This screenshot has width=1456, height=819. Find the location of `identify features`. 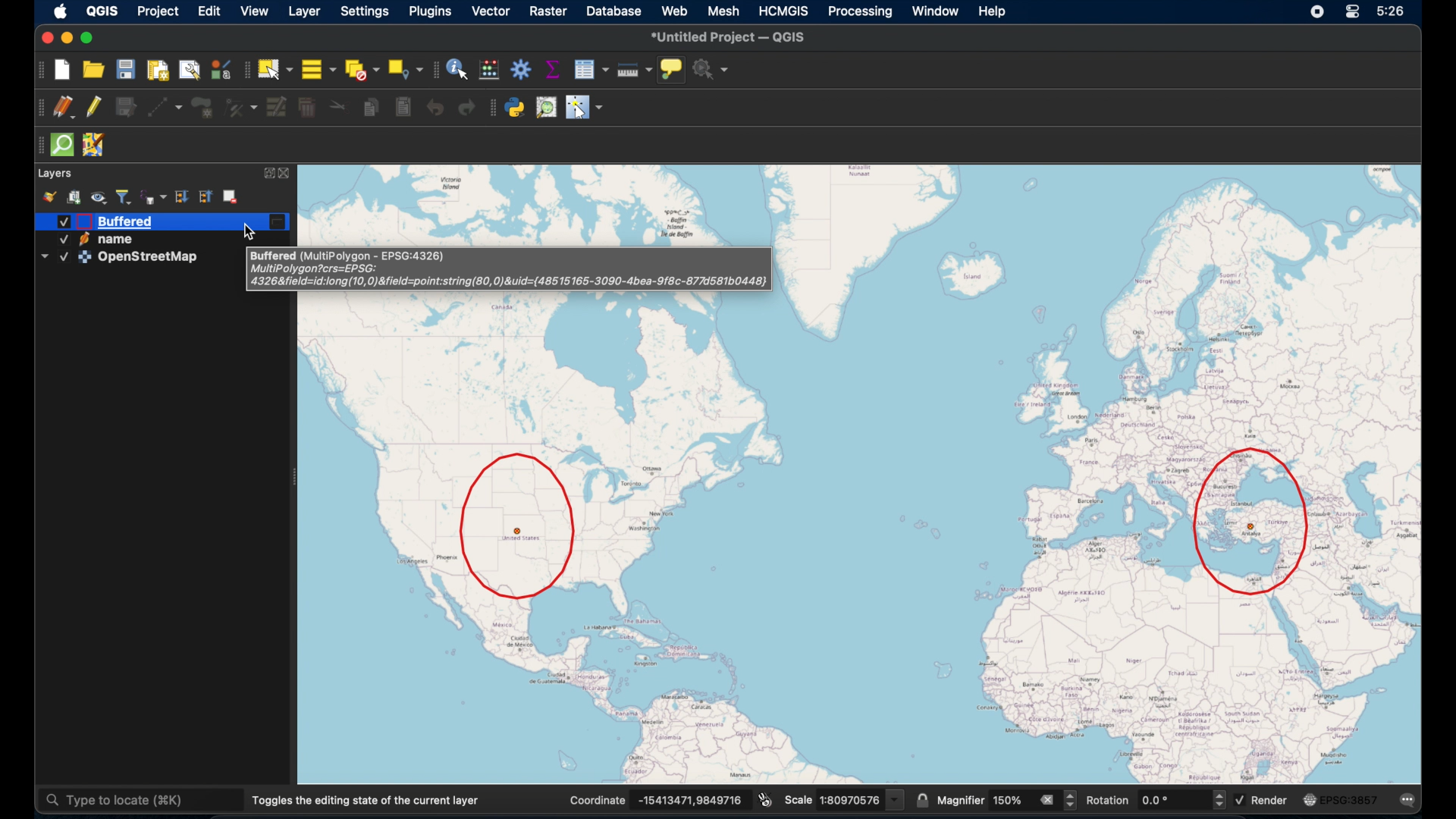

identify features is located at coordinates (457, 69).